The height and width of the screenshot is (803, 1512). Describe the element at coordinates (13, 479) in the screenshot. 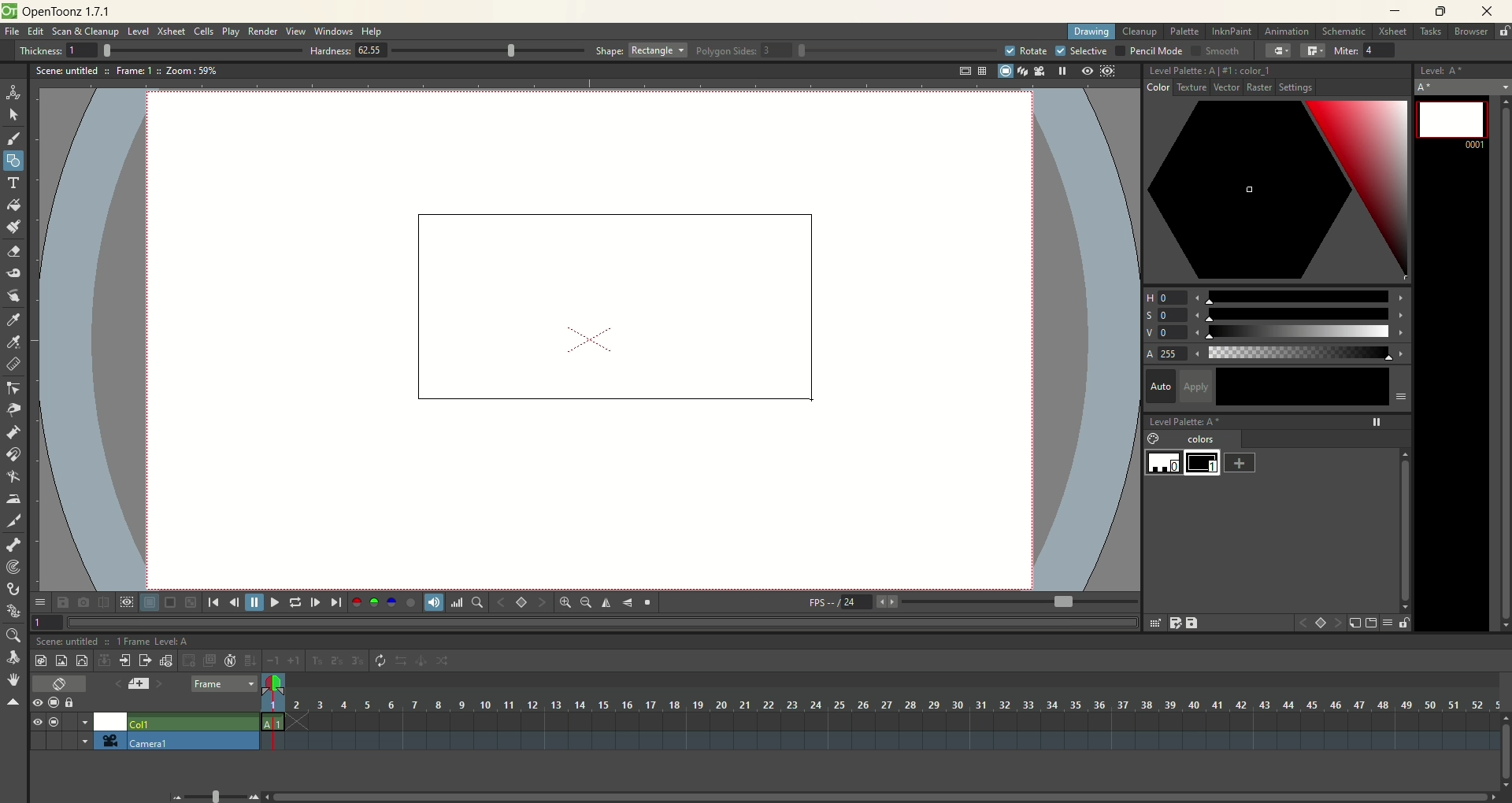

I see `bender` at that location.